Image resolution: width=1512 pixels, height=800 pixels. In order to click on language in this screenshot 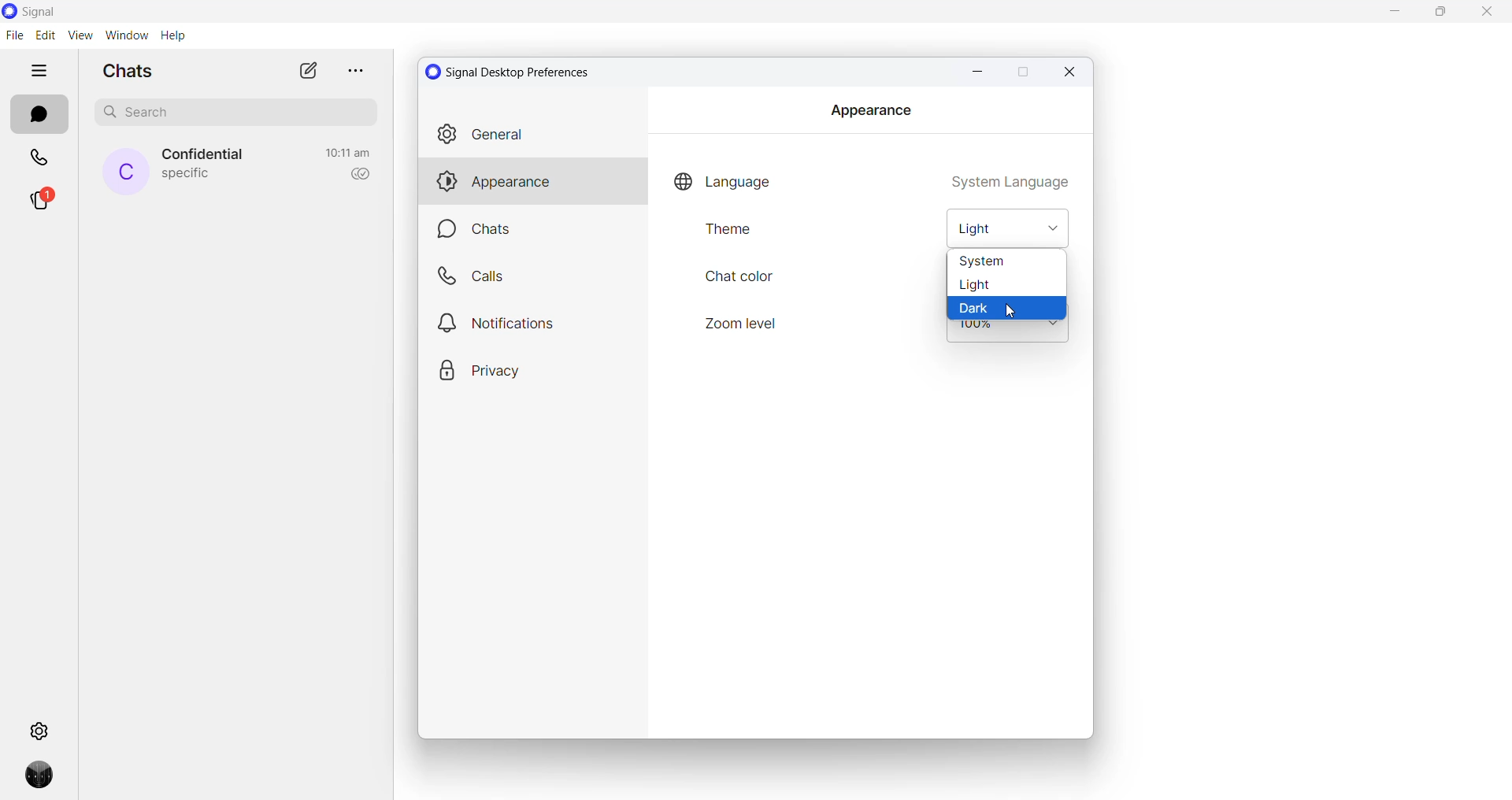, I will do `click(724, 178)`.